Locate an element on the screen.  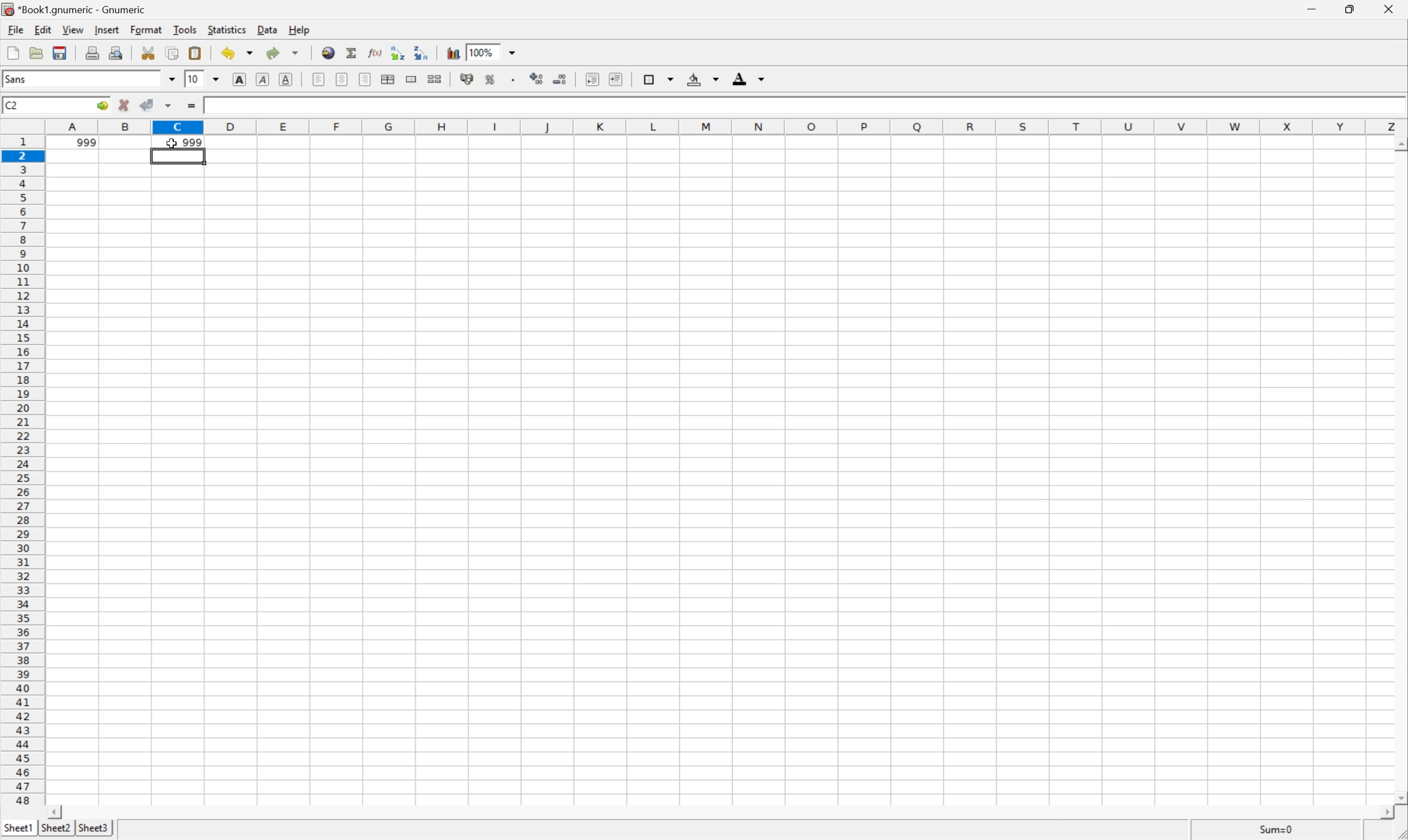
Center horizontally is located at coordinates (341, 79).